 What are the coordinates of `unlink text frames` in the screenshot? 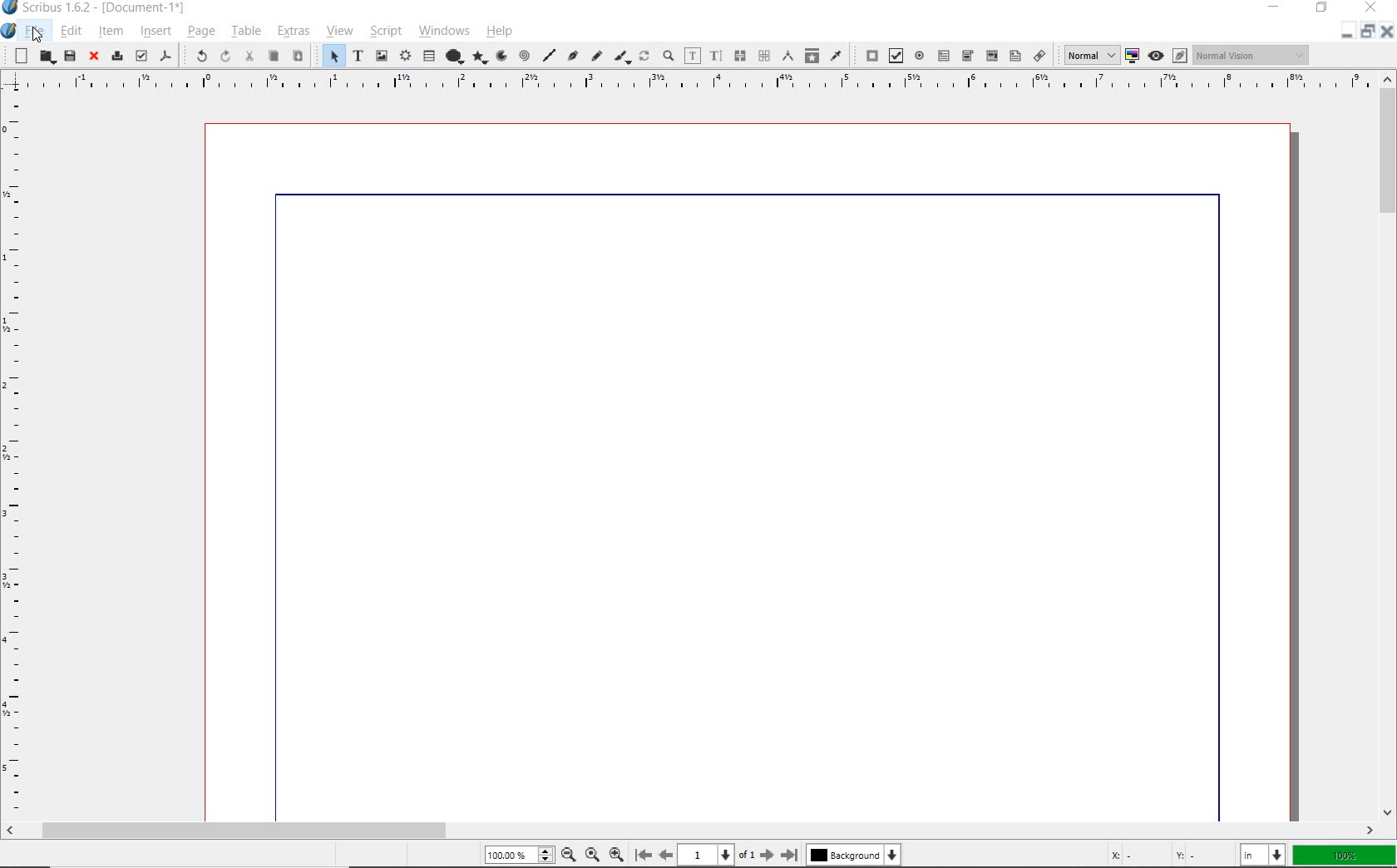 It's located at (764, 55).